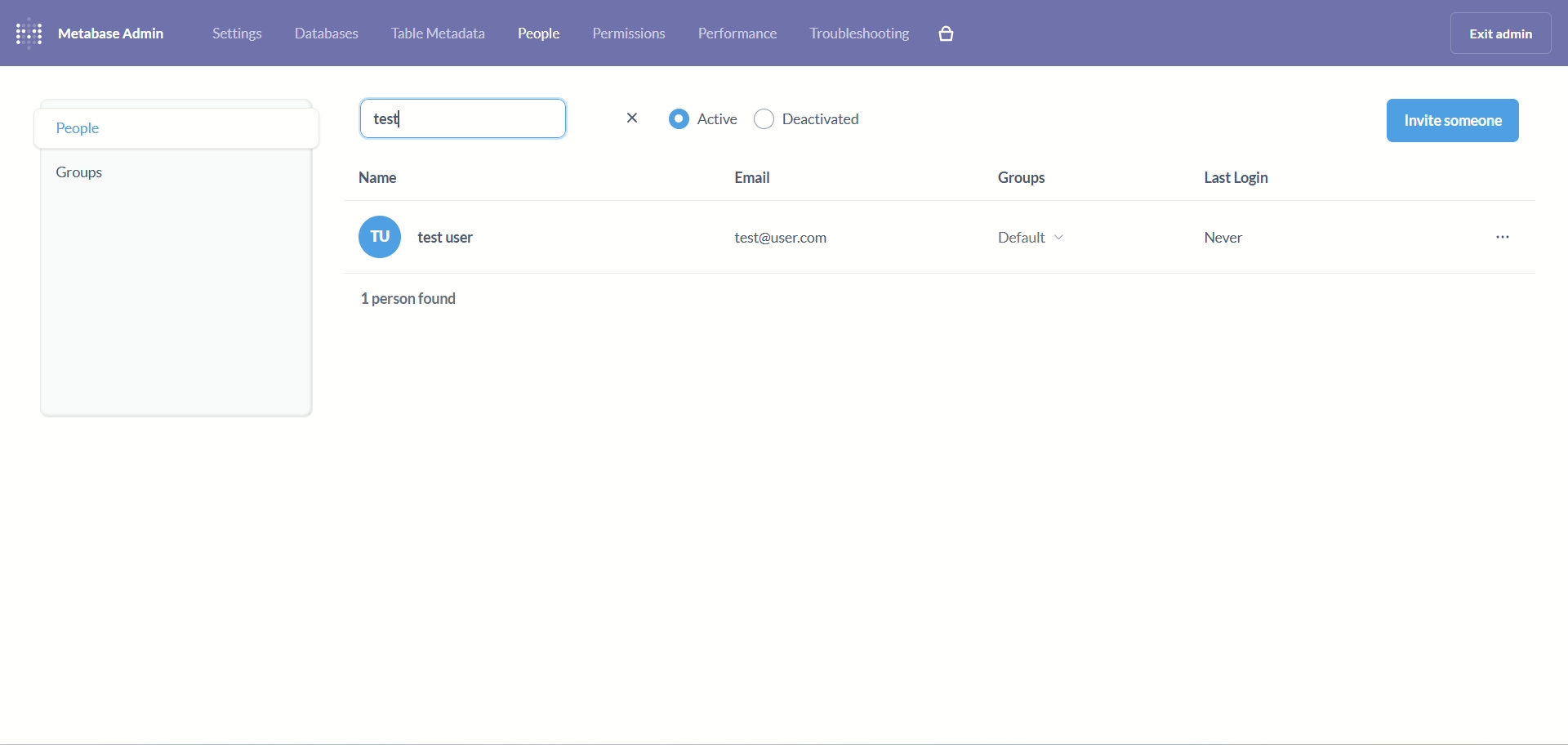 This screenshot has height=745, width=1568. What do you see at coordinates (377, 178) in the screenshot?
I see `Name` at bounding box center [377, 178].